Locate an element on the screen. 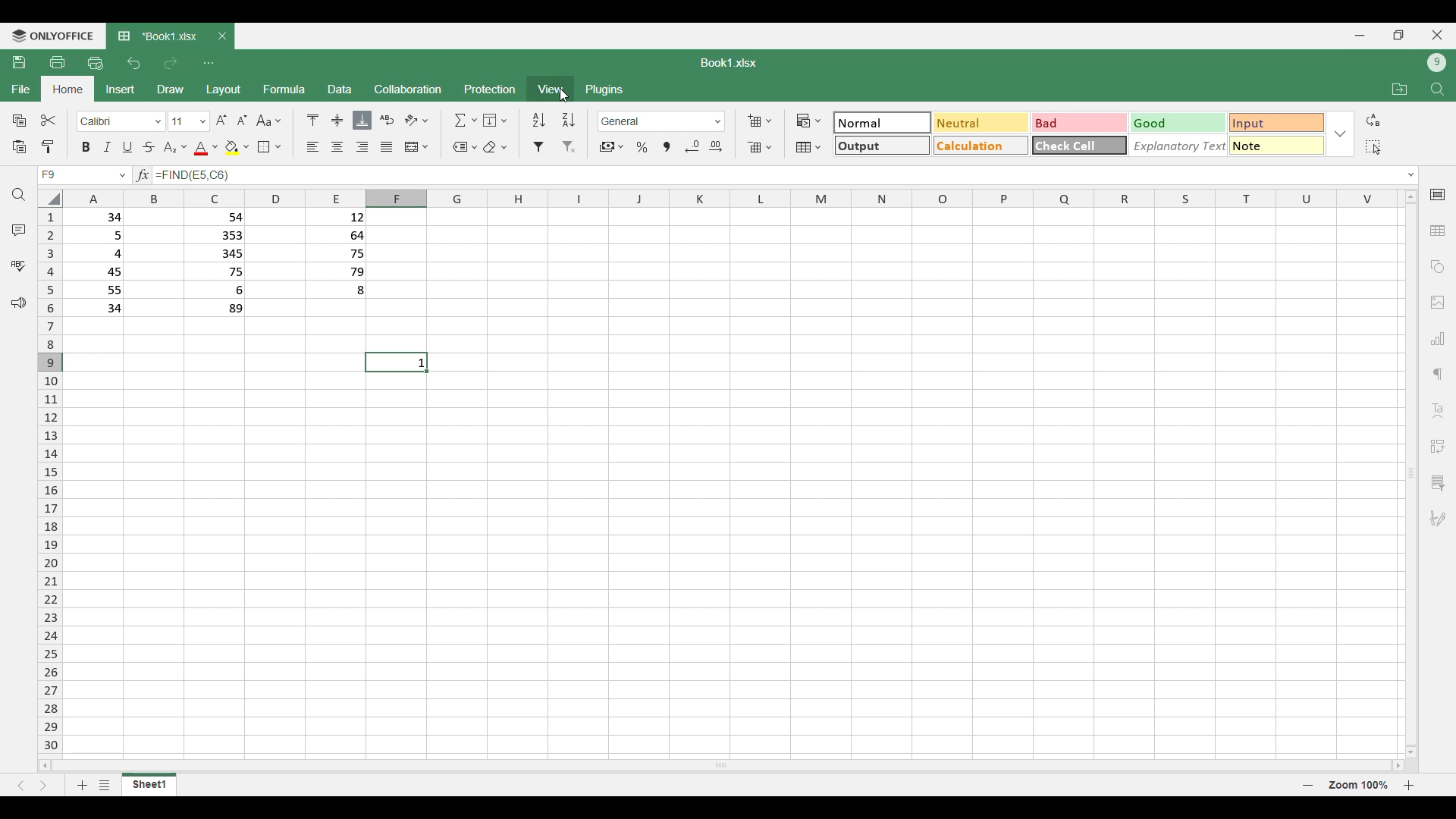 This screenshot has width=1456, height=819. Decrease decimal is located at coordinates (692, 146).